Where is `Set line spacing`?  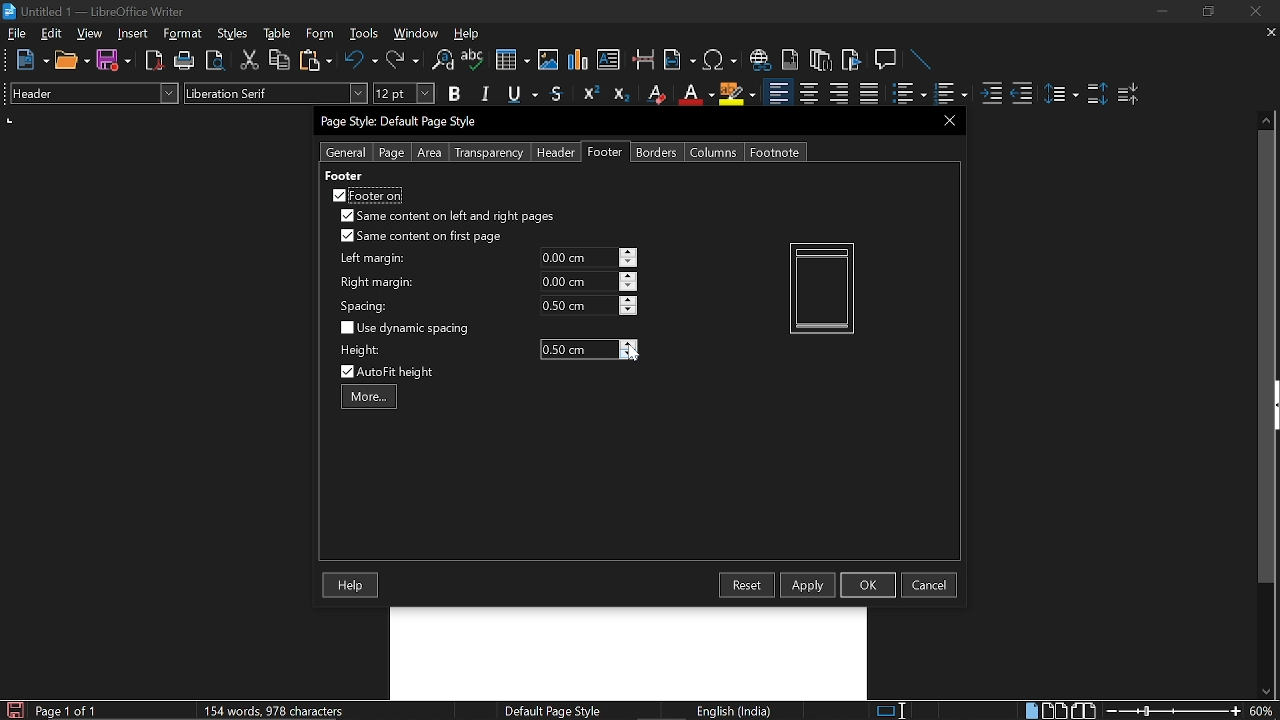 Set line spacing is located at coordinates (1060, 94).